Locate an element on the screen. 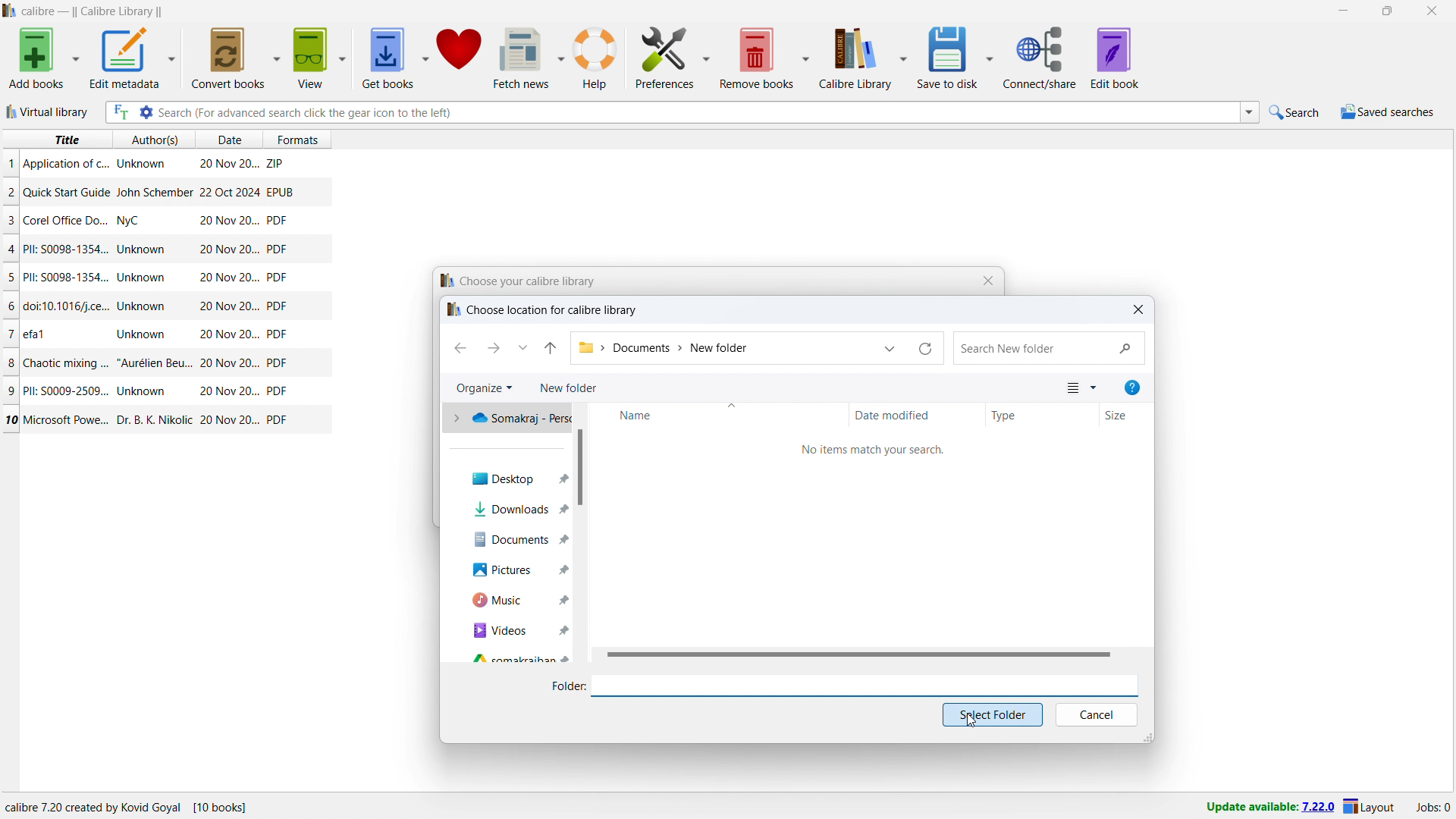 Image resolution: width=1456 pixels, height=819 pixels. add books options is located at coordinates (76, 58).